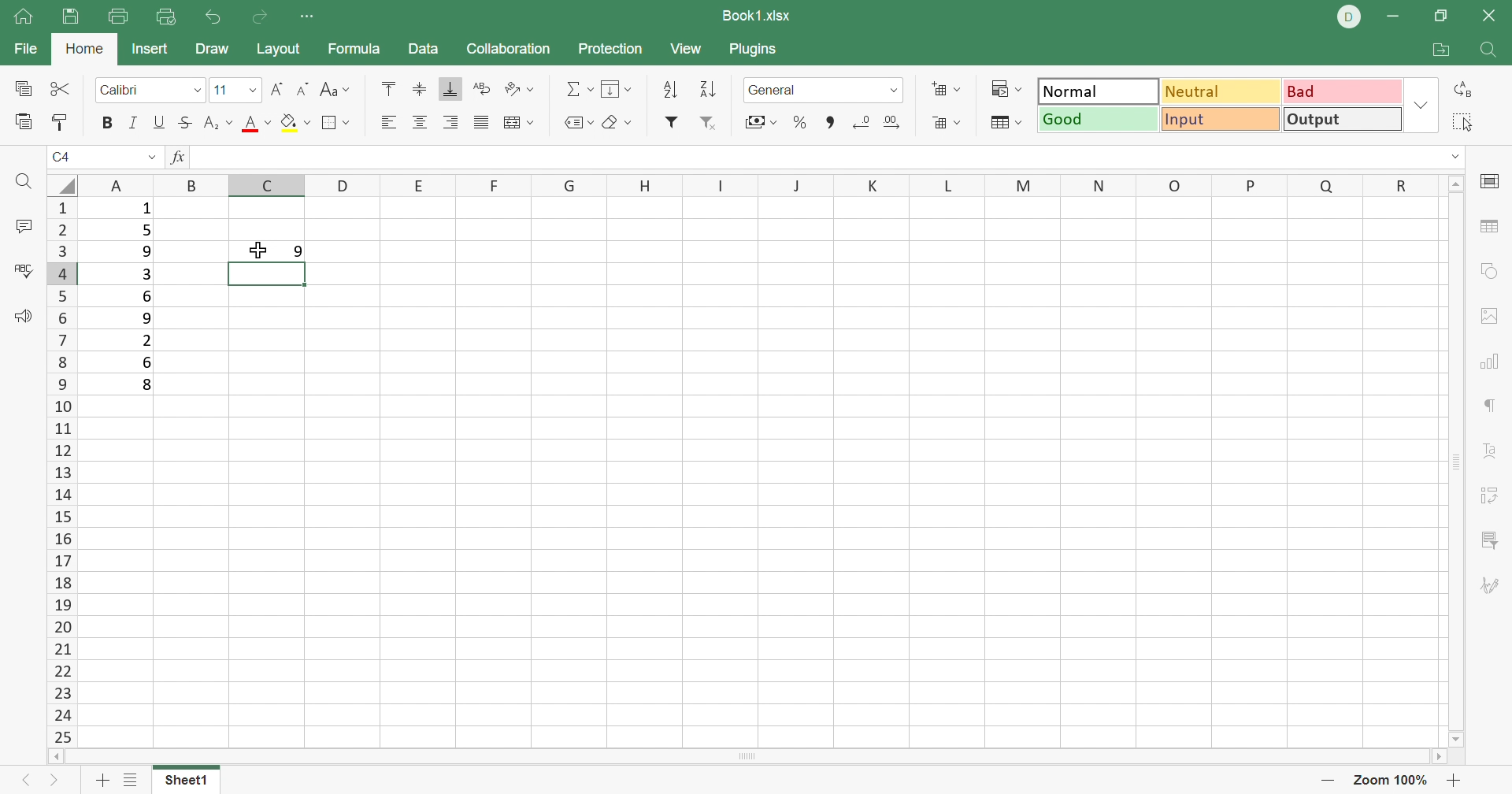 The height and width of the screenshot is (794, 1512). What do you see at coordinates (1489, 226) in the screenshot?
I see `Table settings` at bounding box center [1489, 226].